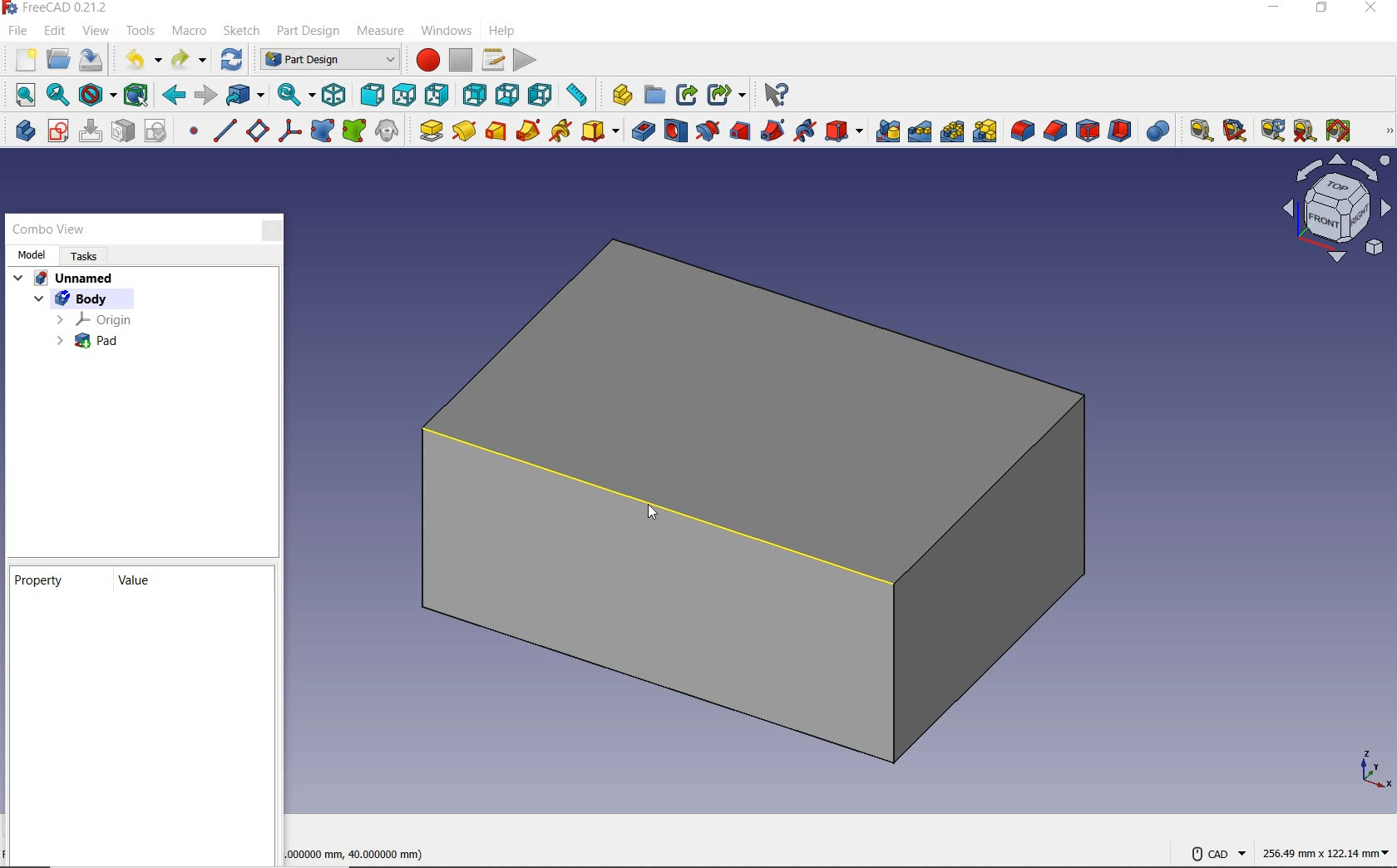 This screenshot has height=868, width=1397. Describe the element at coordinates (475, 94) in the screenshot. I see `rear` at that location.